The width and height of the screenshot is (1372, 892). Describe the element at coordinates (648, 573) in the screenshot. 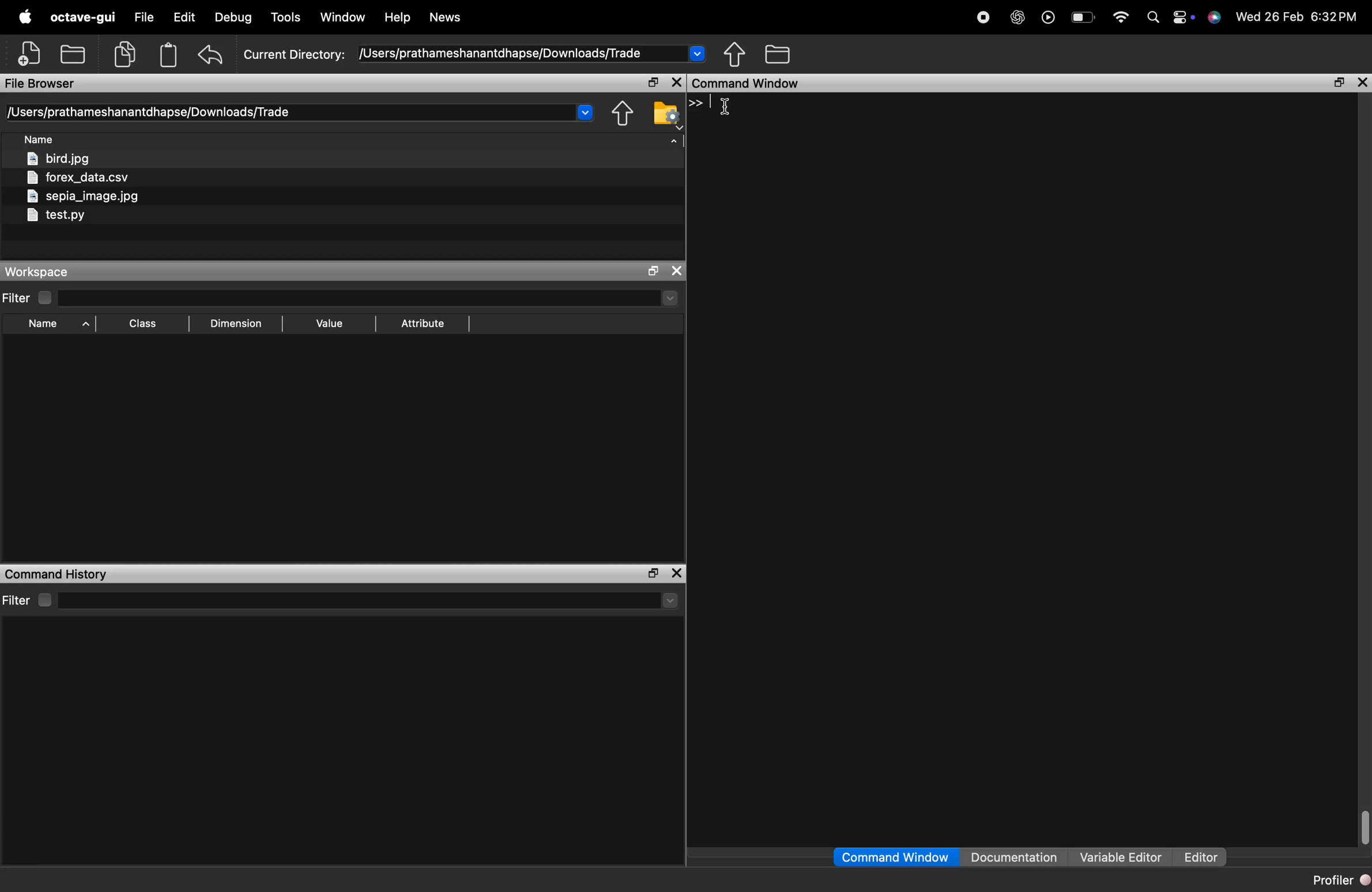

I see `maximize` at that location.